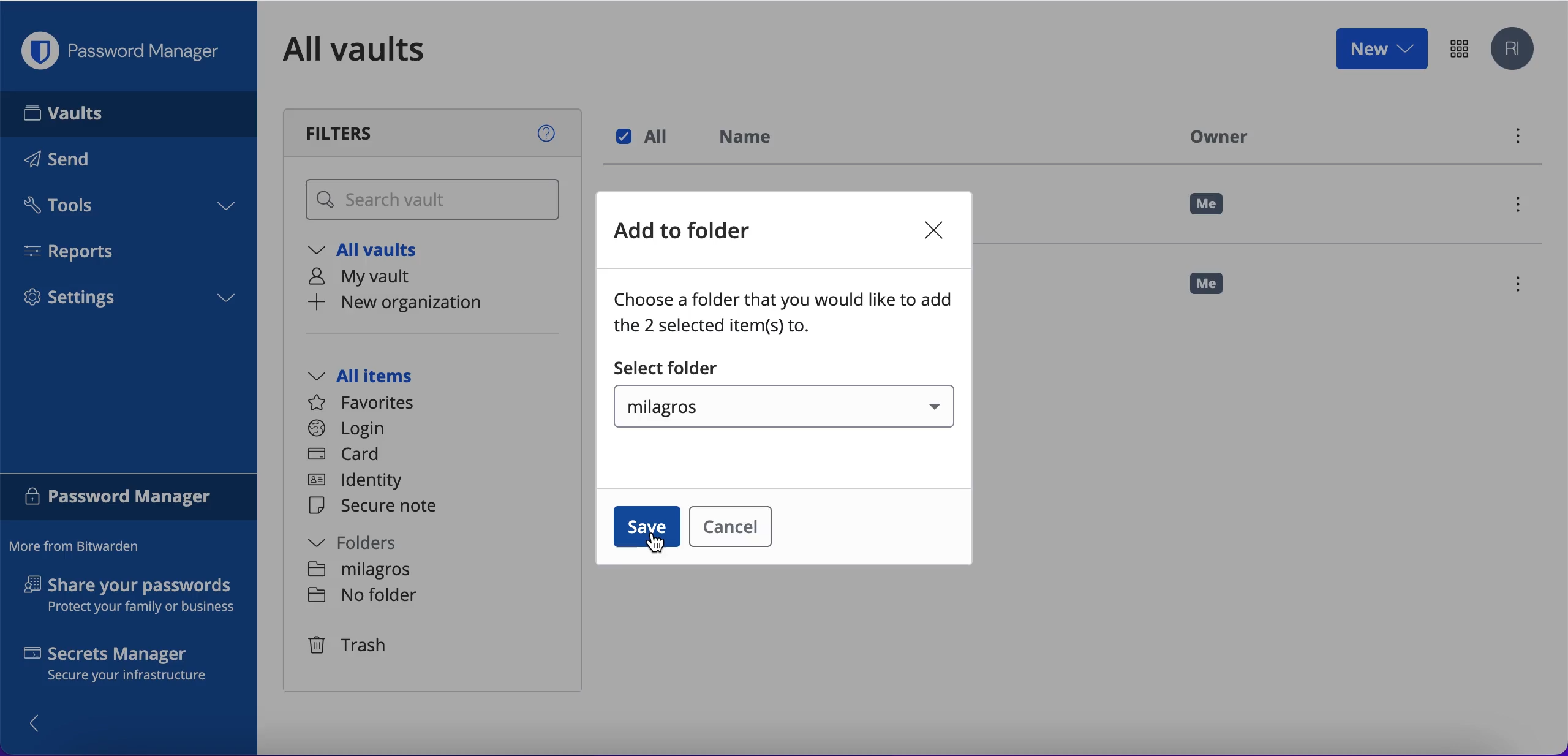  What do you see at coordinates (363, 570) in the screenshot?
I see `no folder` at bounding box center [363, 570].